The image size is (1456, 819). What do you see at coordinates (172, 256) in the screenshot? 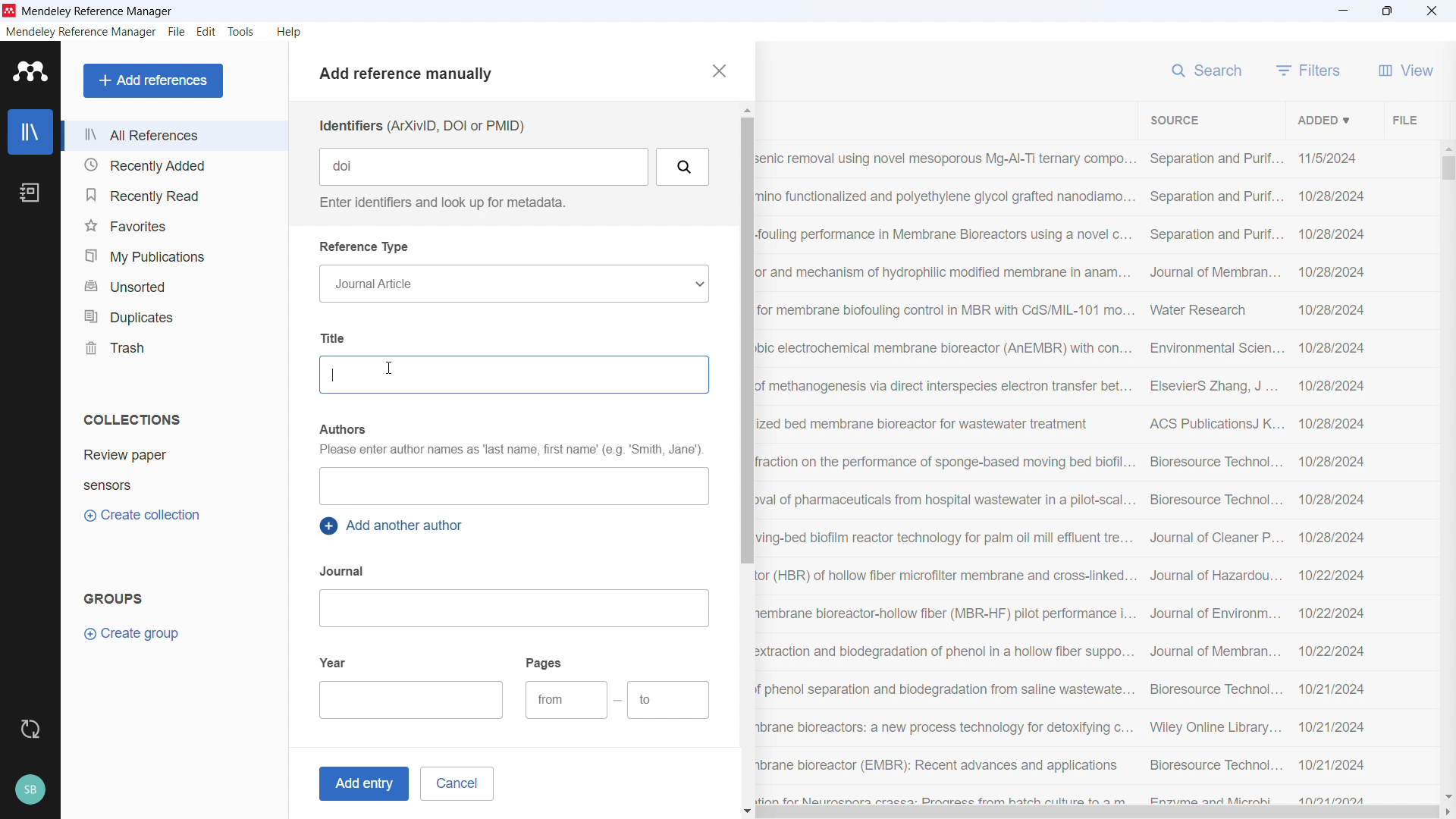
I see `My publications ` at bounding box center [172, 256].